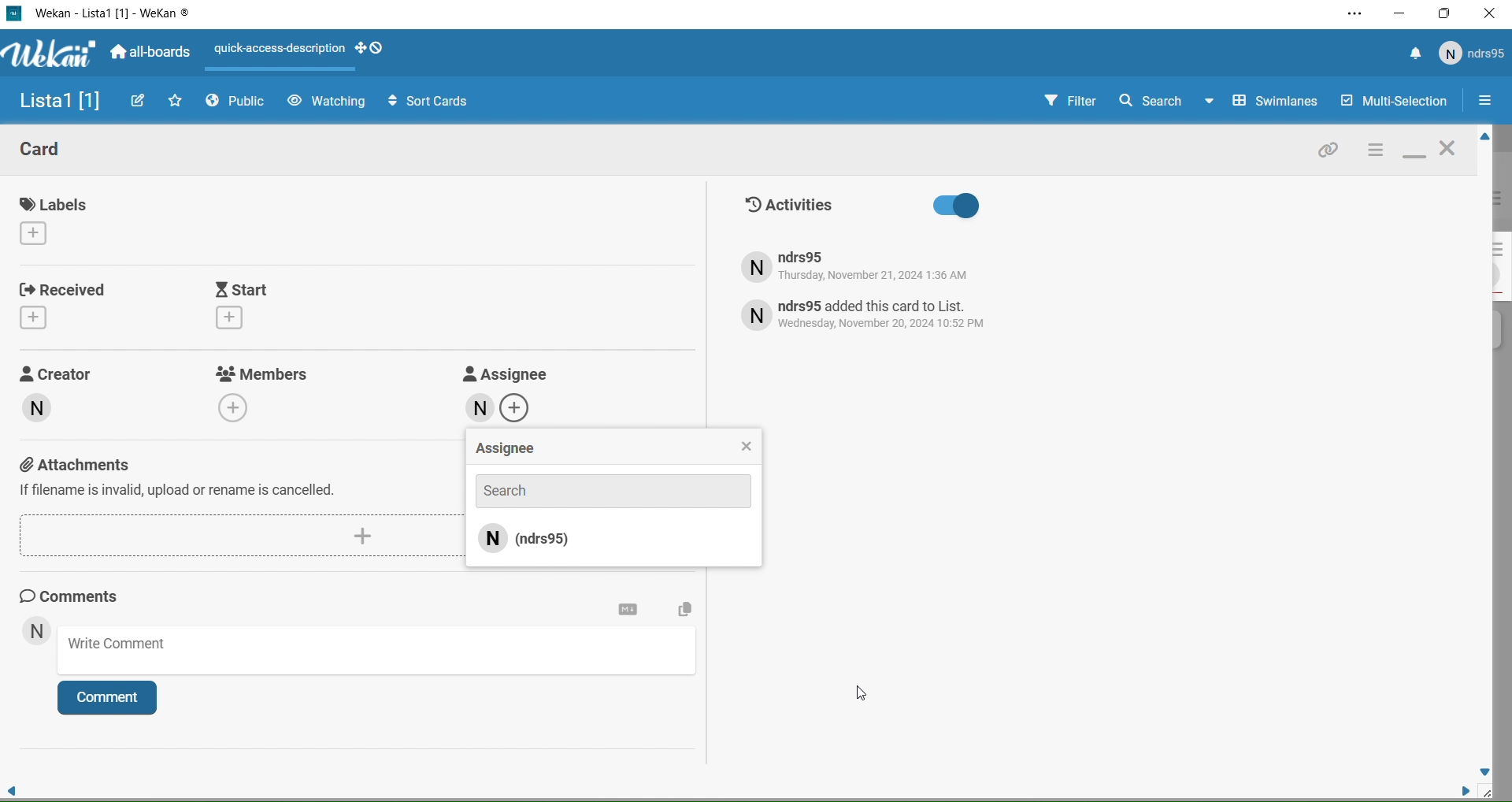 Image resolution: width=1512 pixels, height=802 pixels. I want to click on Watching, so click(326, 102).